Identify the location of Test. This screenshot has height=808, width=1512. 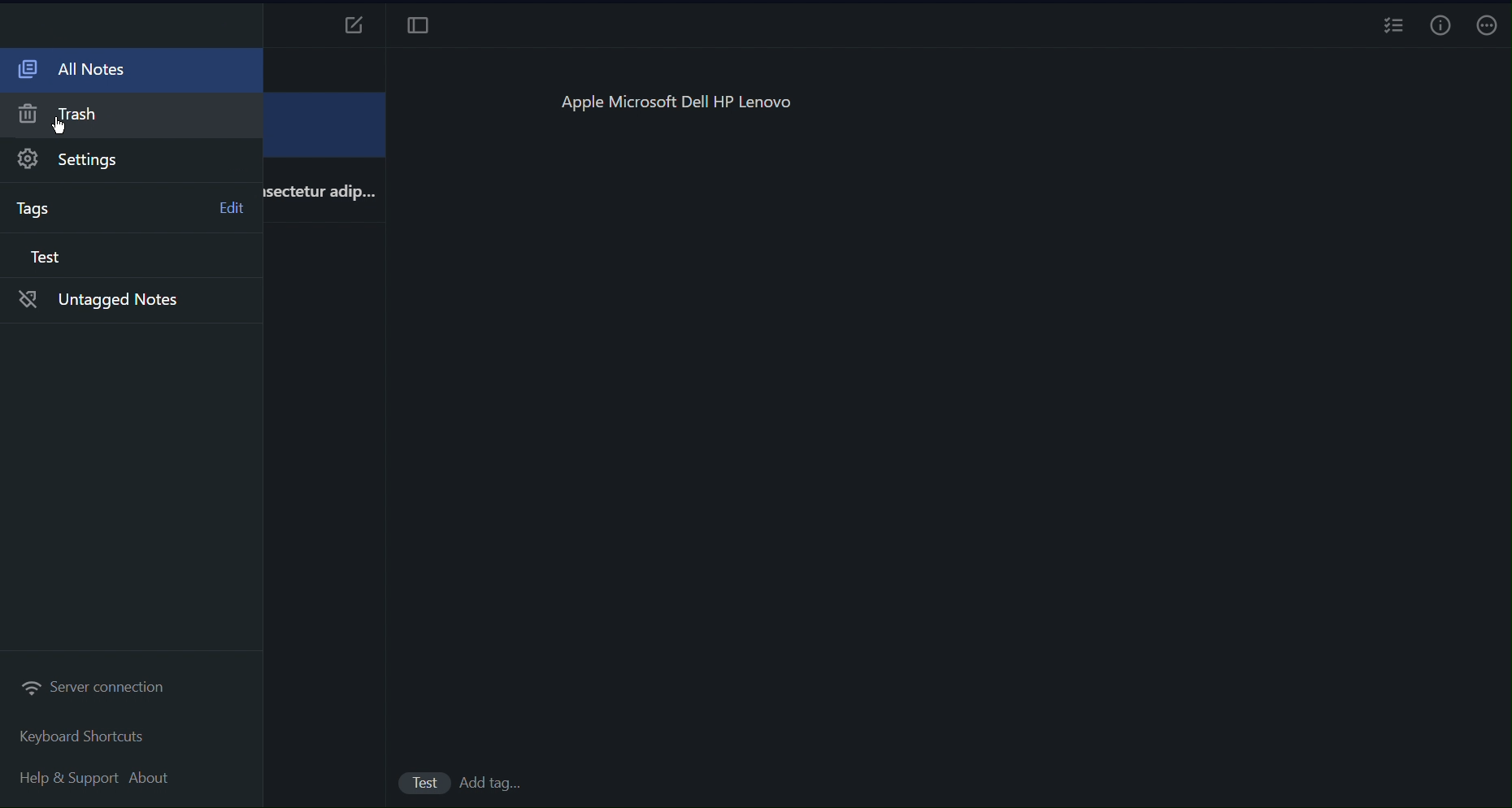
(416, 781).